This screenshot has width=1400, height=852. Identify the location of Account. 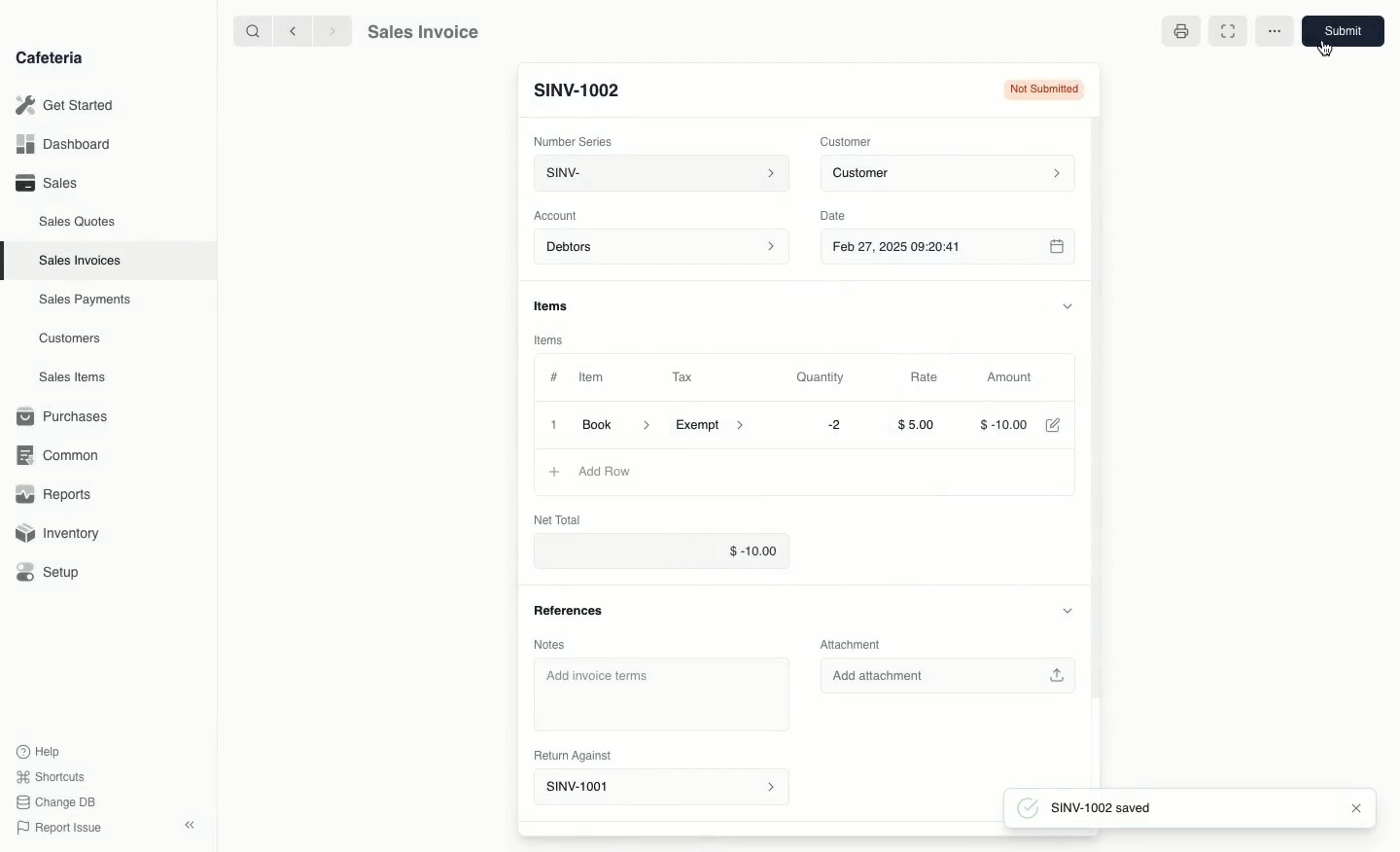
(561, 216).